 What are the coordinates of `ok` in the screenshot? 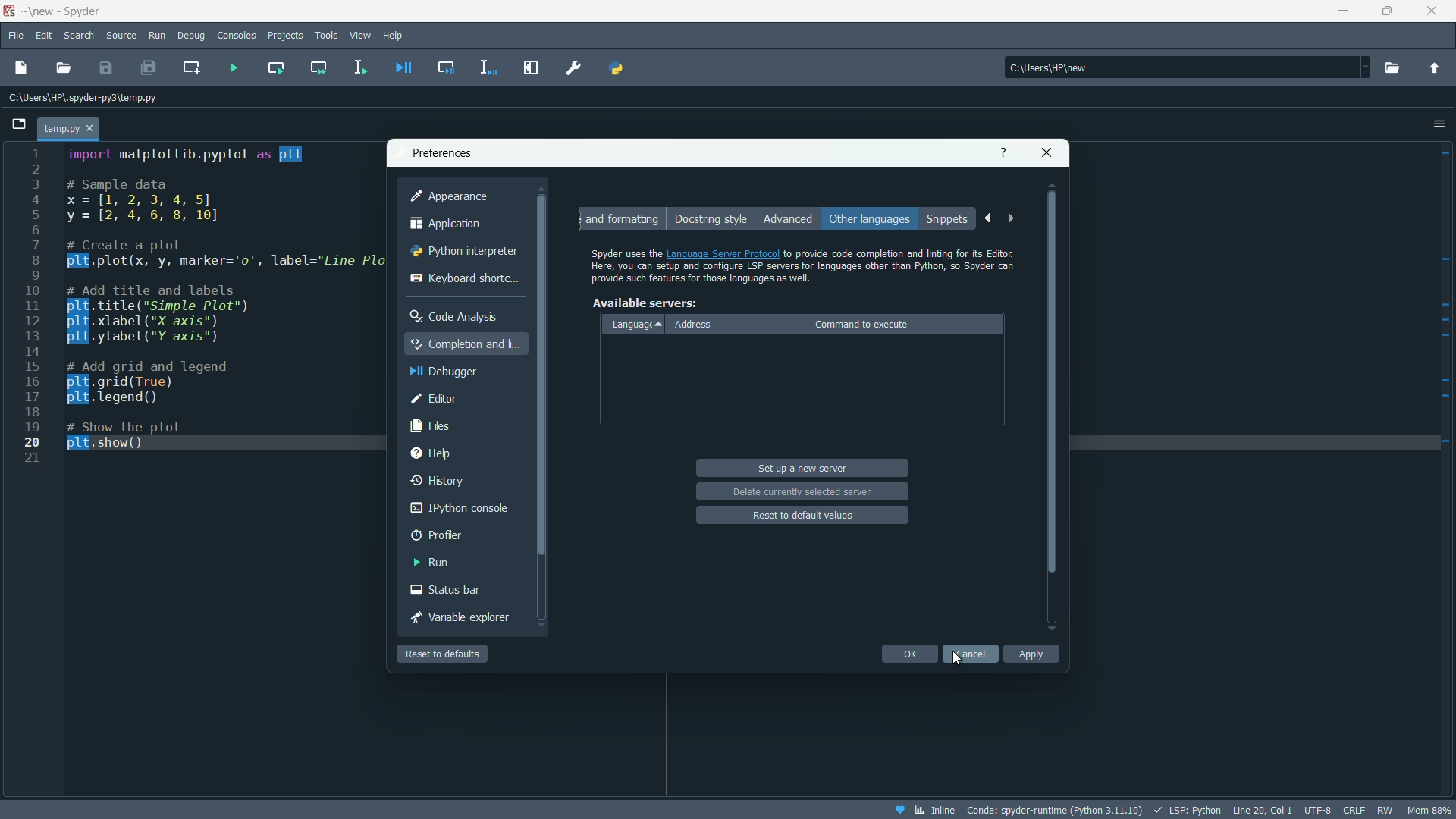 It's located at (909, 654).